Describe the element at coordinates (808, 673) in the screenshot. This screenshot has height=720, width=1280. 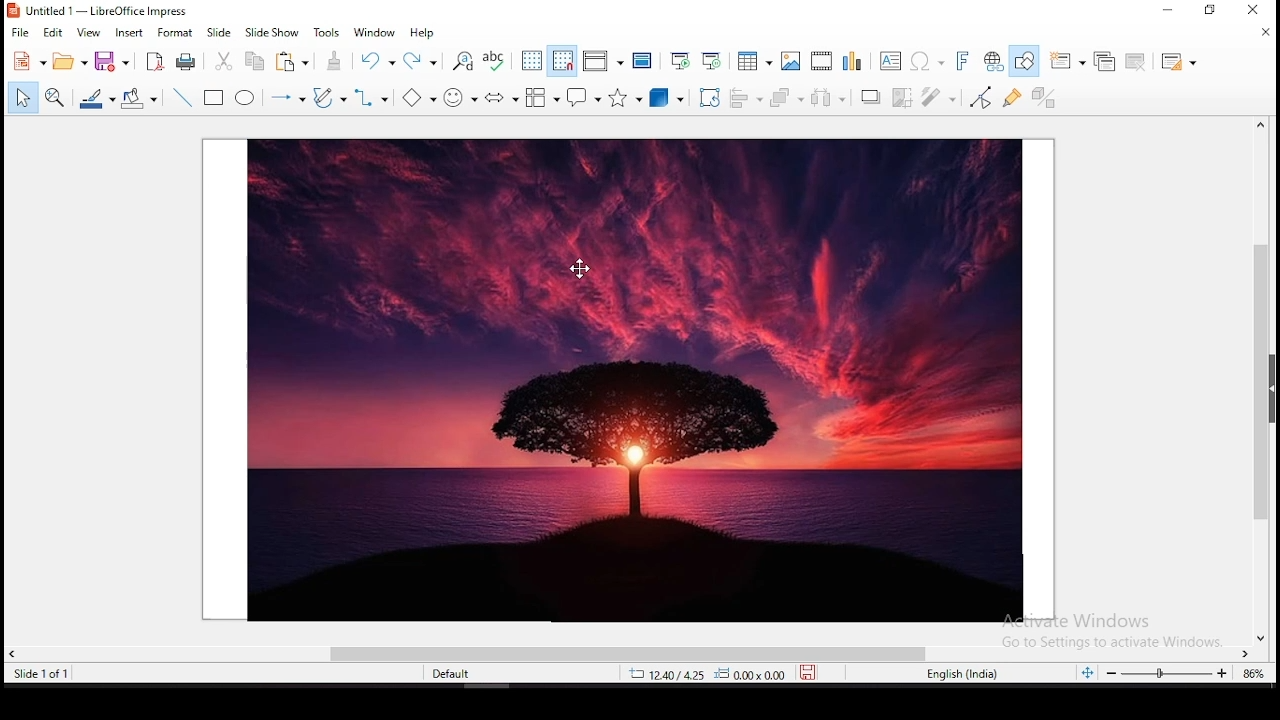
I see `save` at that location.